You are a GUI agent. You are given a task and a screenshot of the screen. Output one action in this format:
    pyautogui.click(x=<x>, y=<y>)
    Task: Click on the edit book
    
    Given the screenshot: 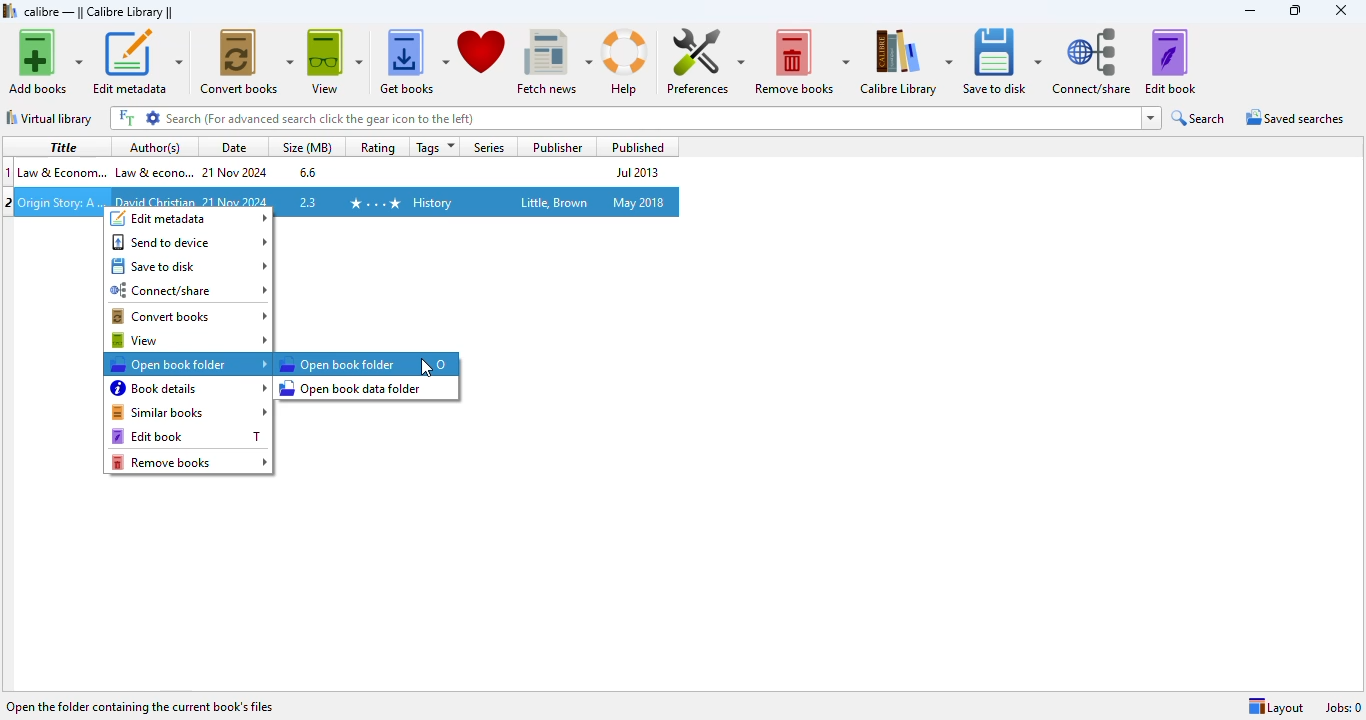 What is the action you would take?
    pyautogui.click(x=172, y=436)
    